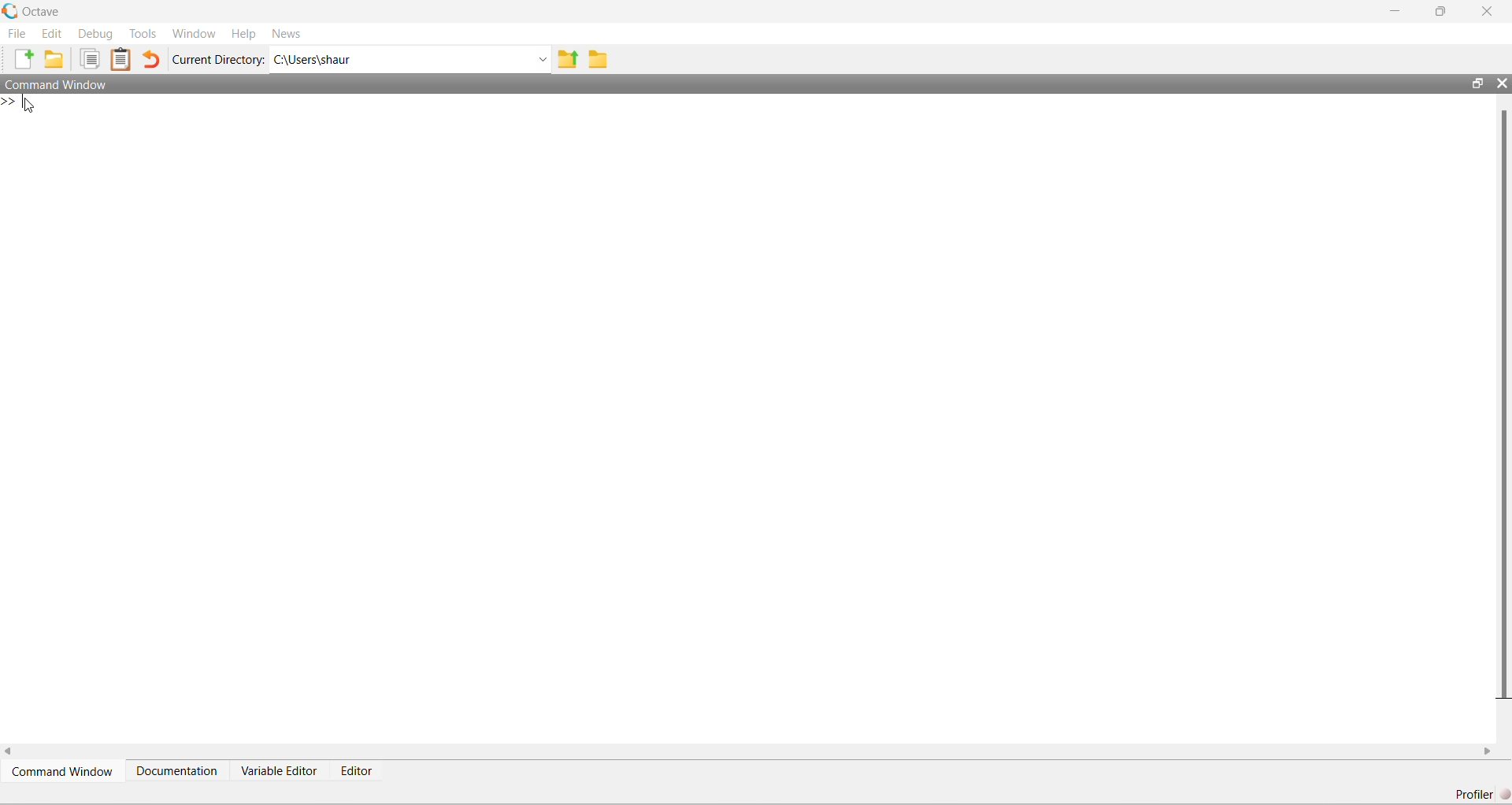 The width and height of the screenshot is (1512, 805). Describe the element at coordinates (142, 34) in the screenshot. I see `Tools` at that location.